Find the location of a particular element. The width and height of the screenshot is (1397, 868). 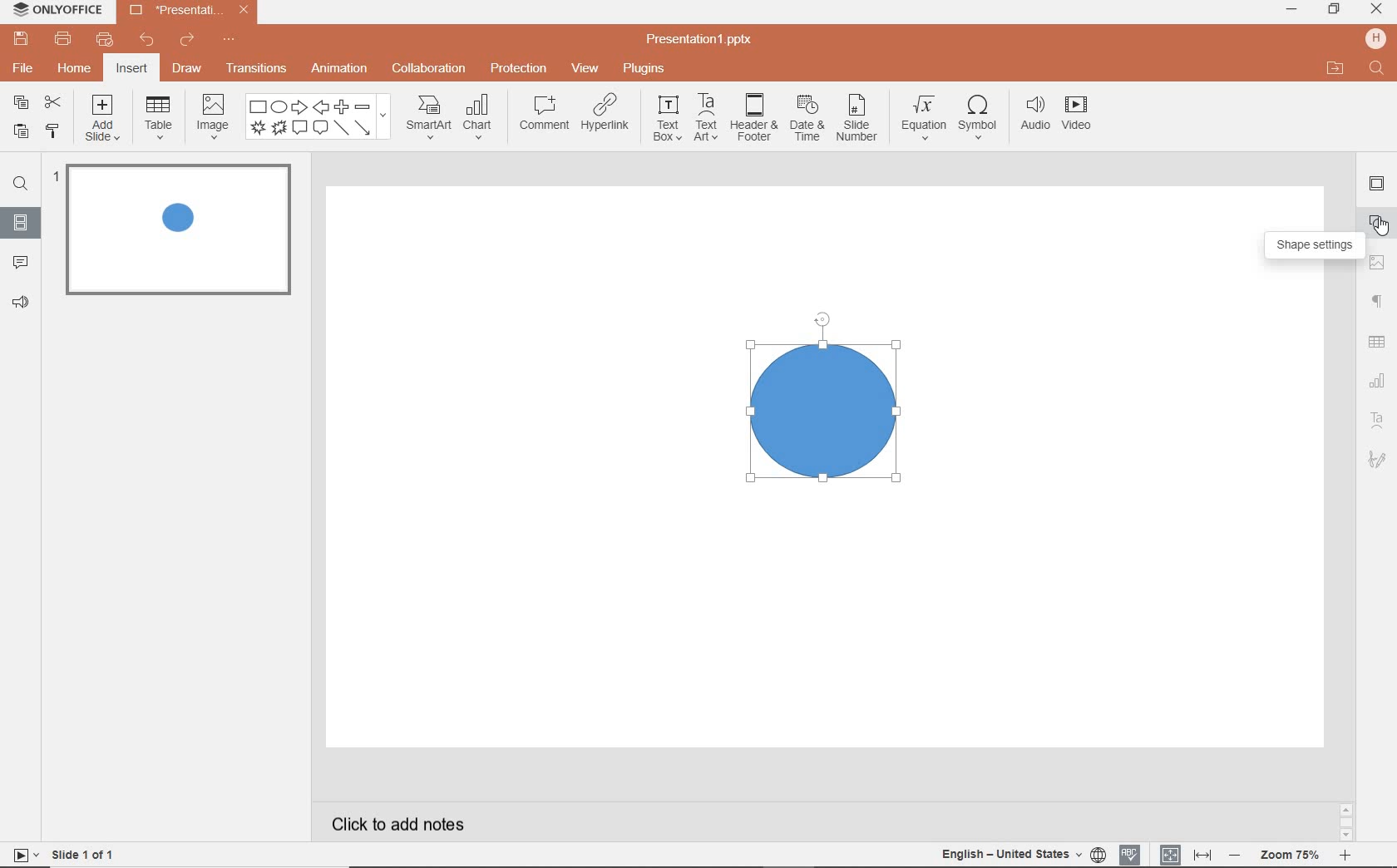

redo is located at coordinates (188, 40).